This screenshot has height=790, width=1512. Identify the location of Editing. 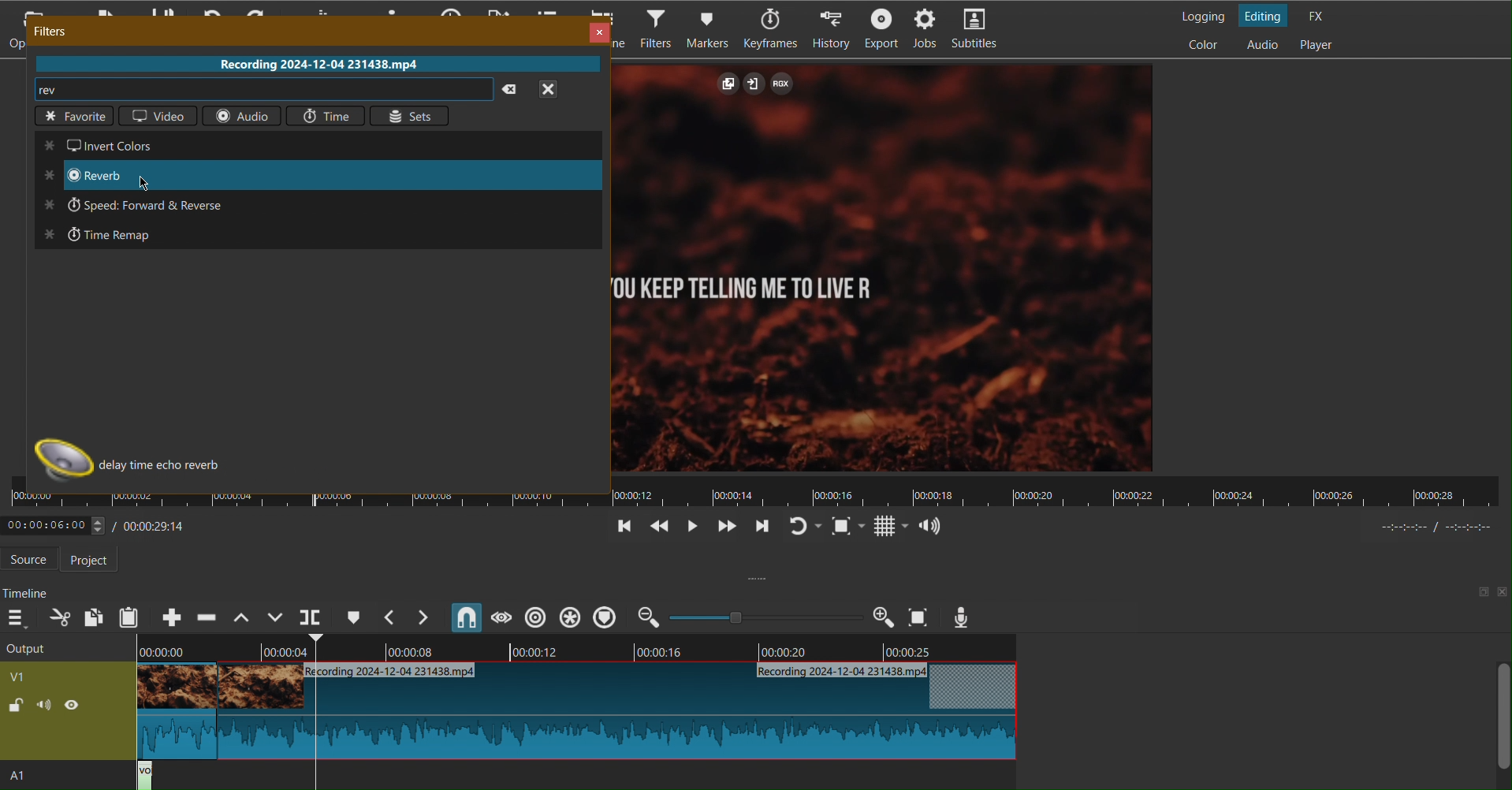
(1266, 15).